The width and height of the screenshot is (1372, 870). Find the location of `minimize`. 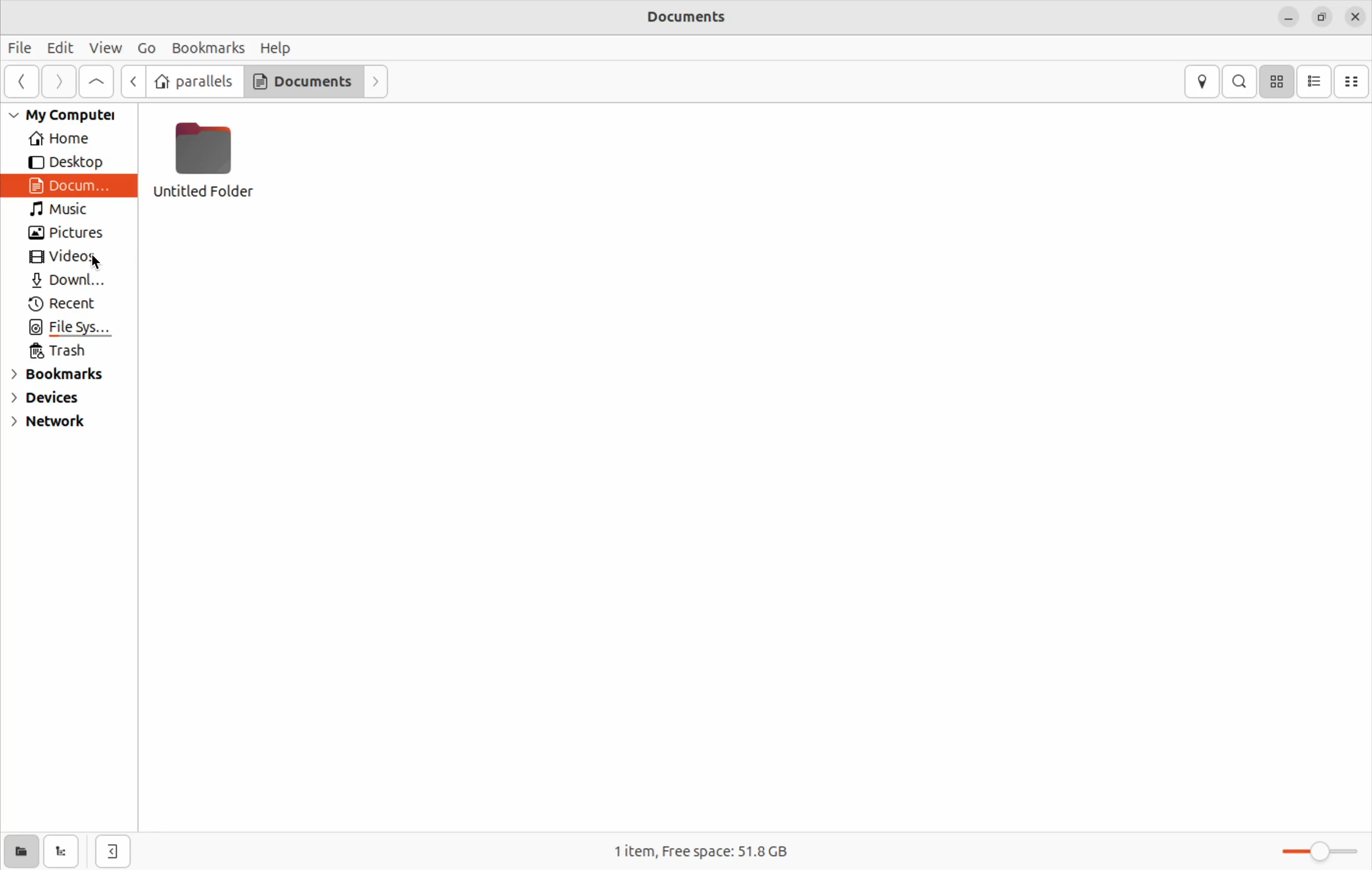

minimize is located at coordinates (1287, 17).